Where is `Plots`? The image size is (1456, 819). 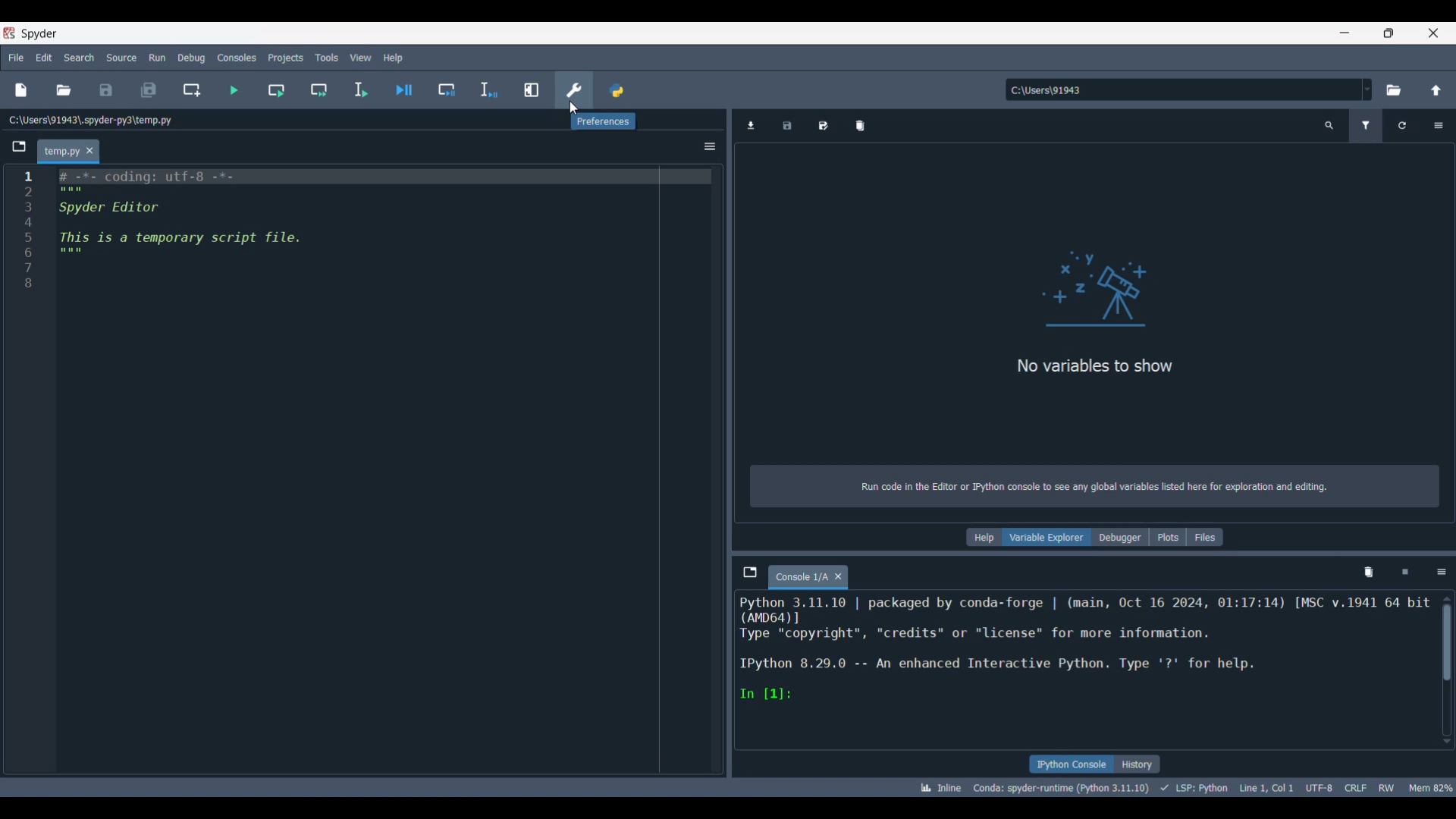 Plots is located at coordinates (1168, 537).